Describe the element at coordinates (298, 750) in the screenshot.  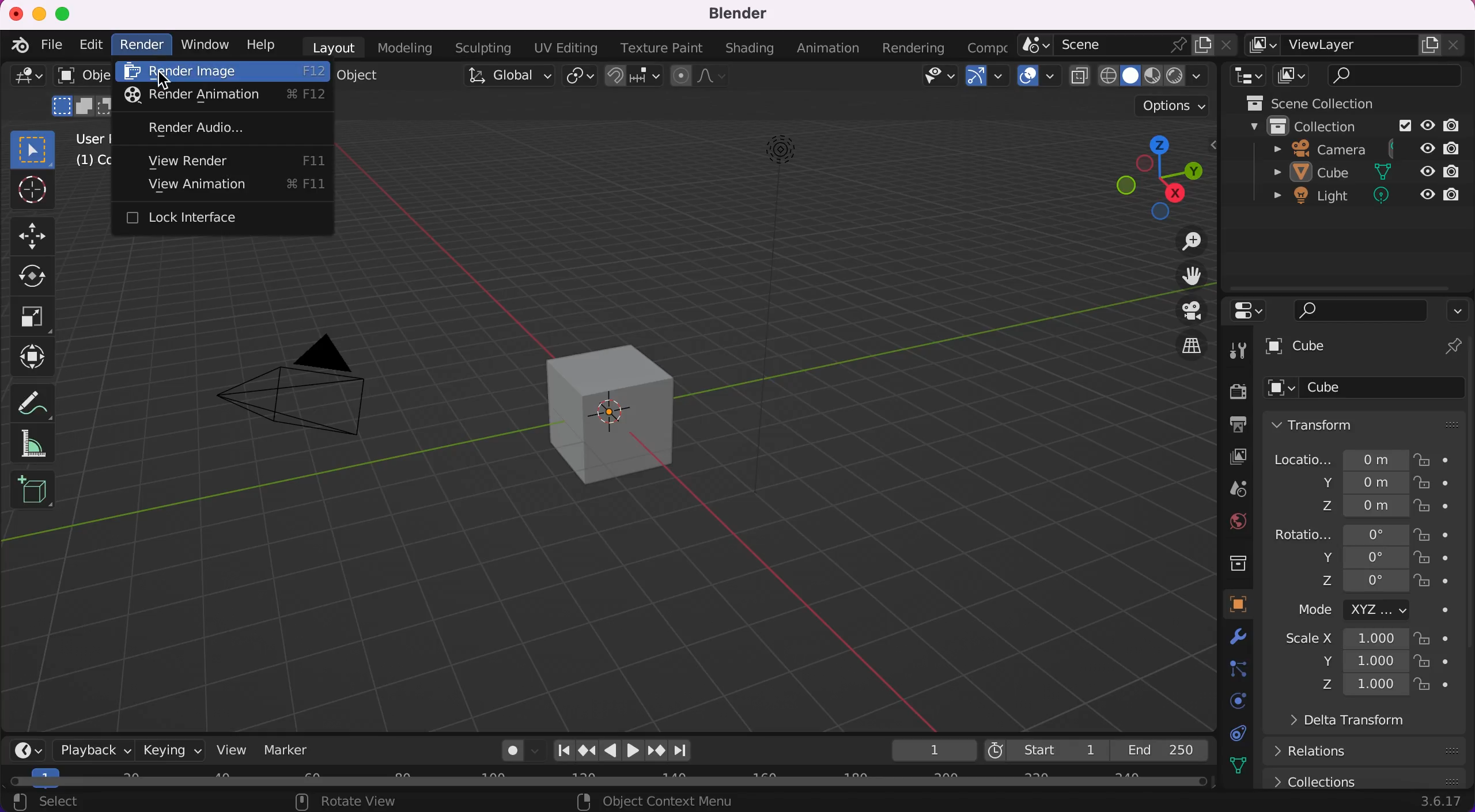
I see `marker` at that location.